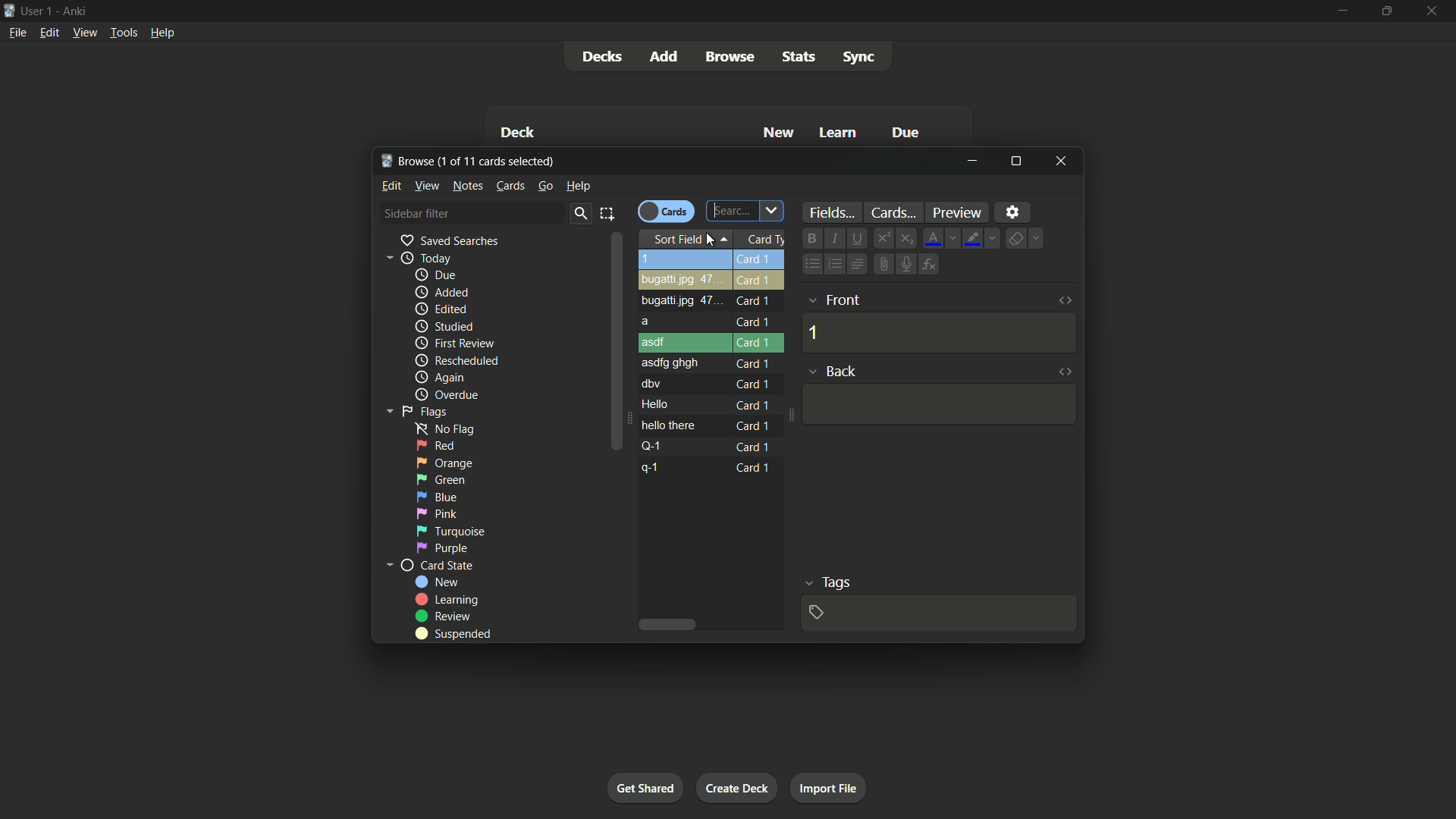 The height and width of the screenshot is (819, 1456). I want to click on blue, so click(436, 497).